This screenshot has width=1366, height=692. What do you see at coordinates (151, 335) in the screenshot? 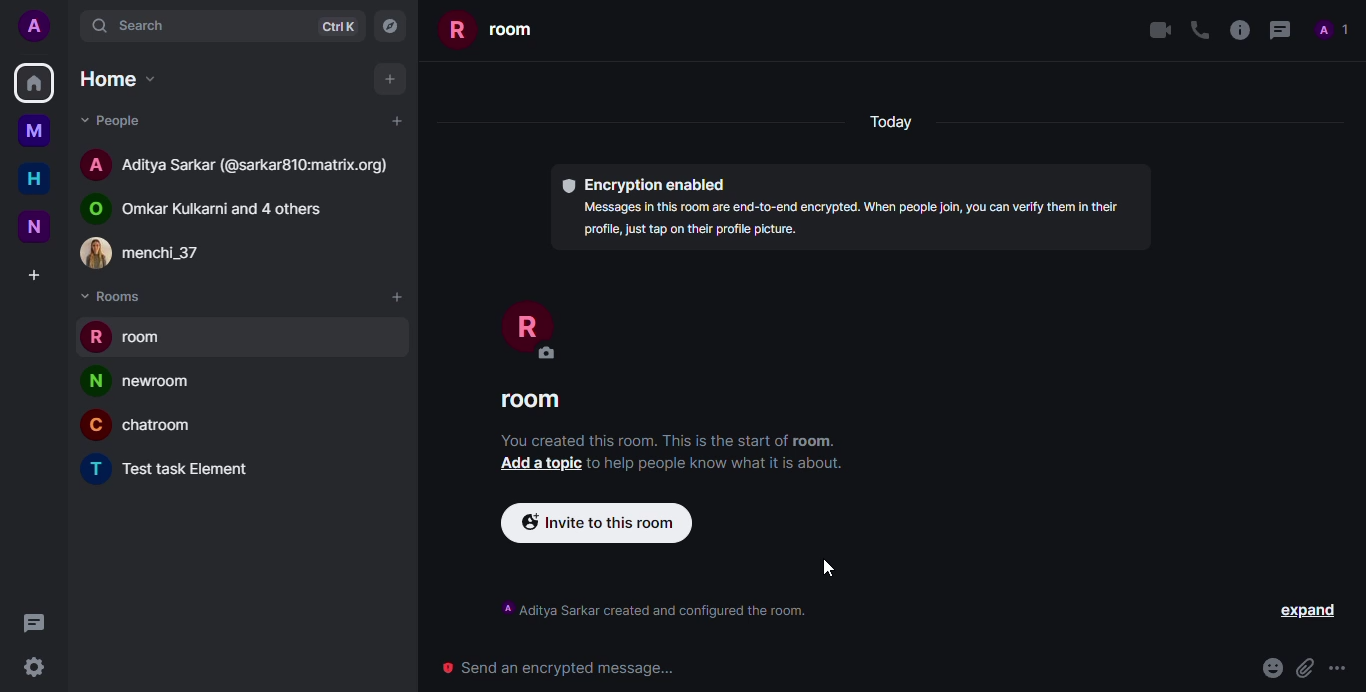
I see `room` at bounding box center [151, 335].